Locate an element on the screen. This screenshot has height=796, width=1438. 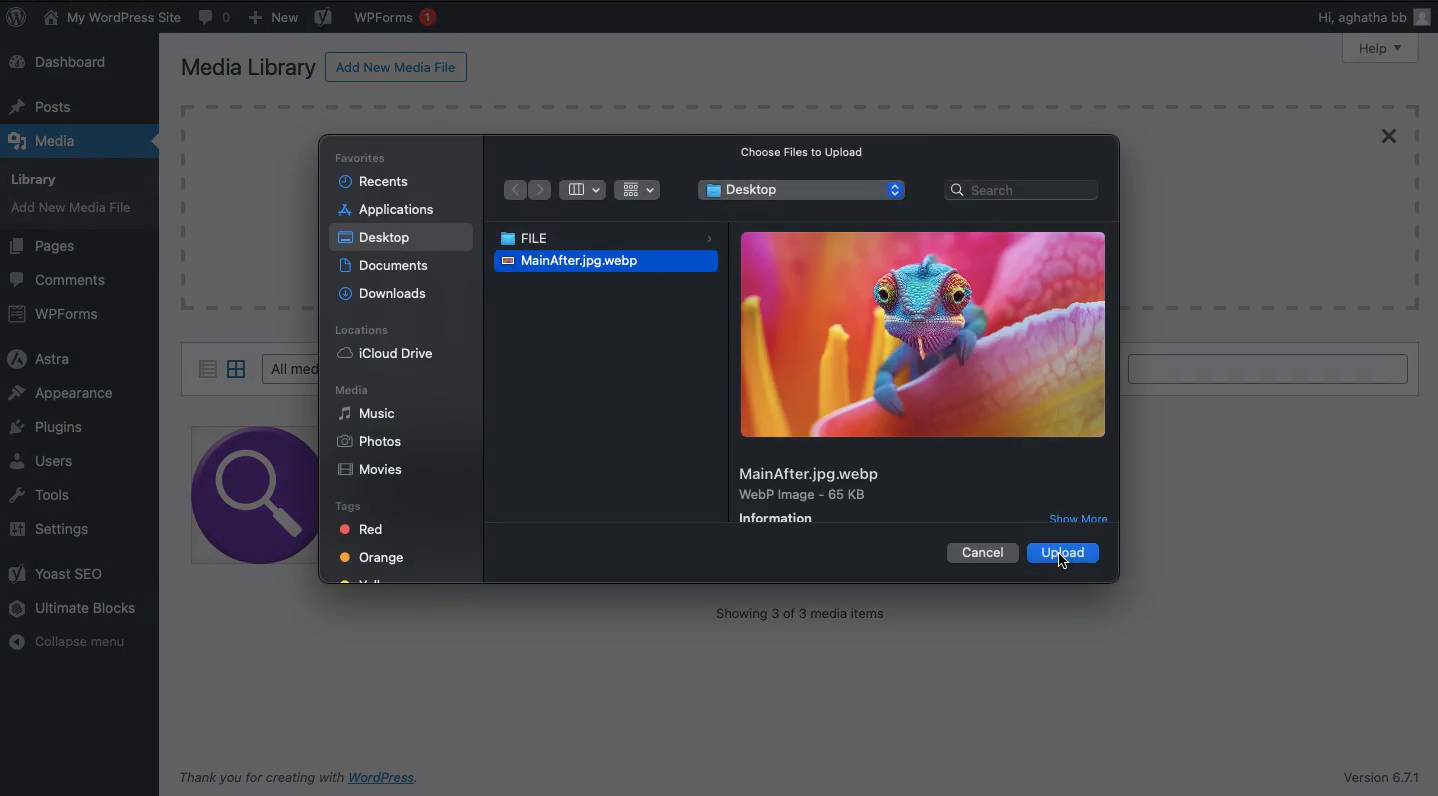
Settings is located at coordinates (48, 529).